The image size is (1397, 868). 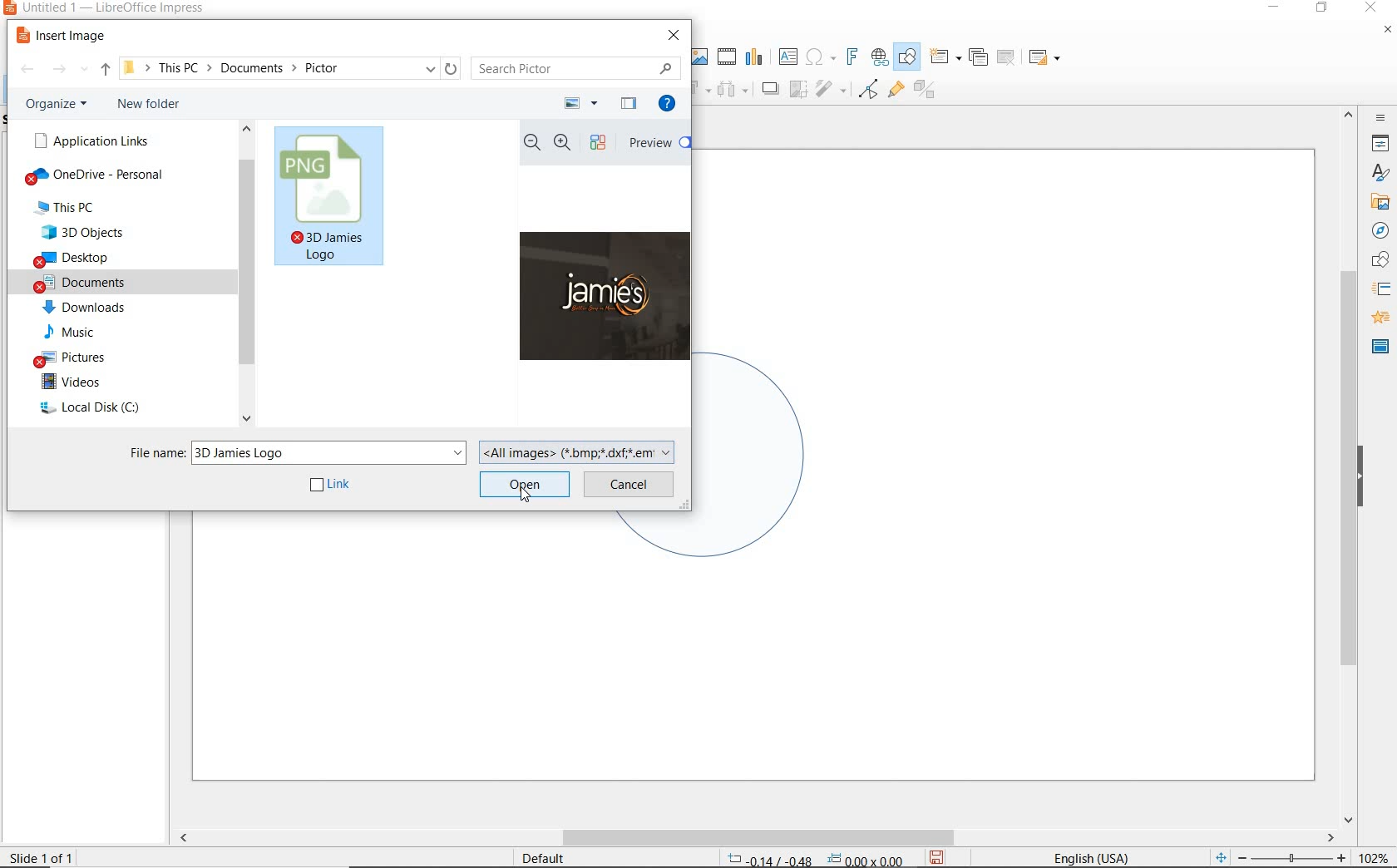 I want to click on gallery, so click(x=1377, y=201).